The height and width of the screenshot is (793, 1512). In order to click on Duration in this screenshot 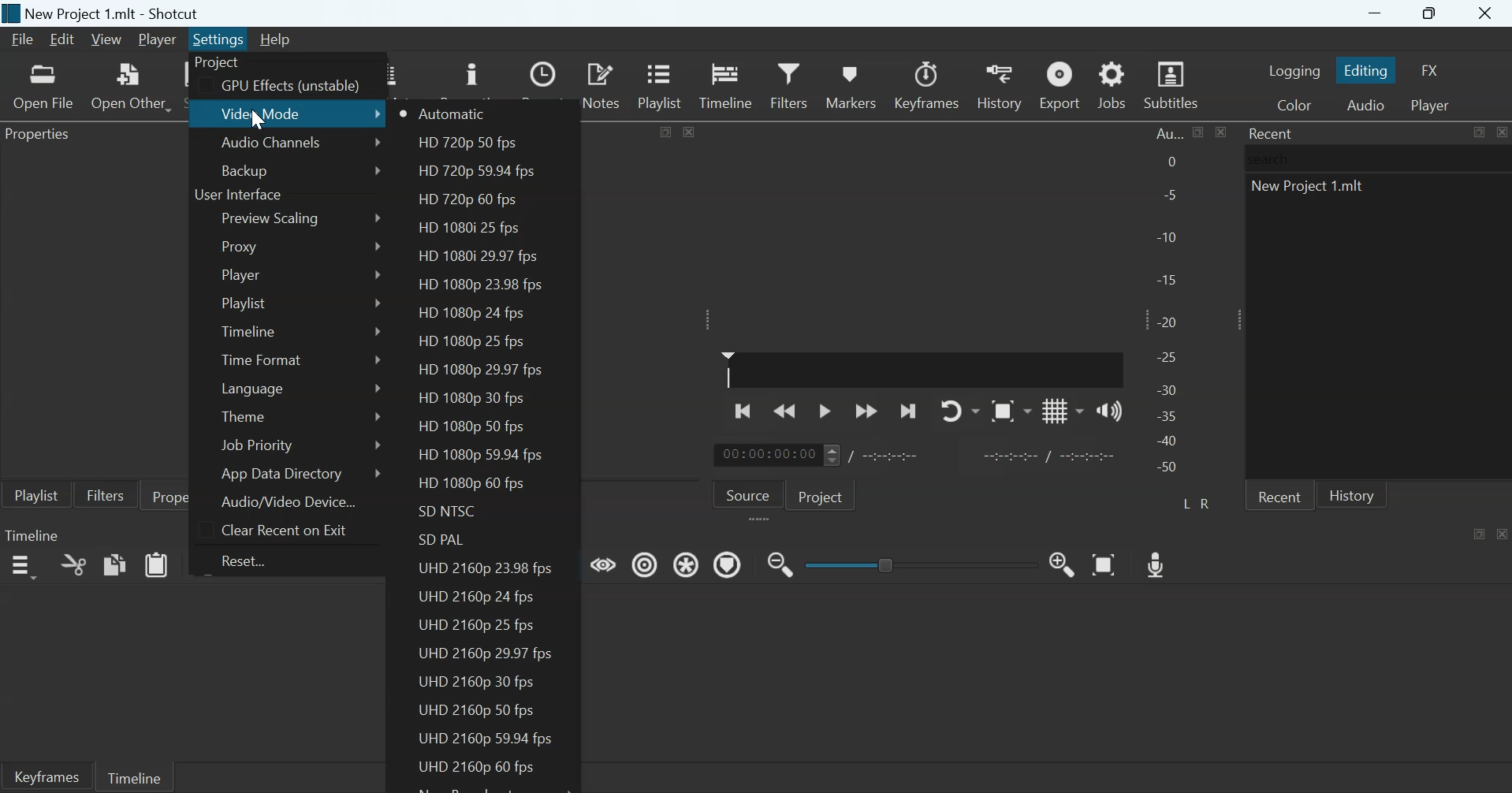, I will do `click(892, 456)`.